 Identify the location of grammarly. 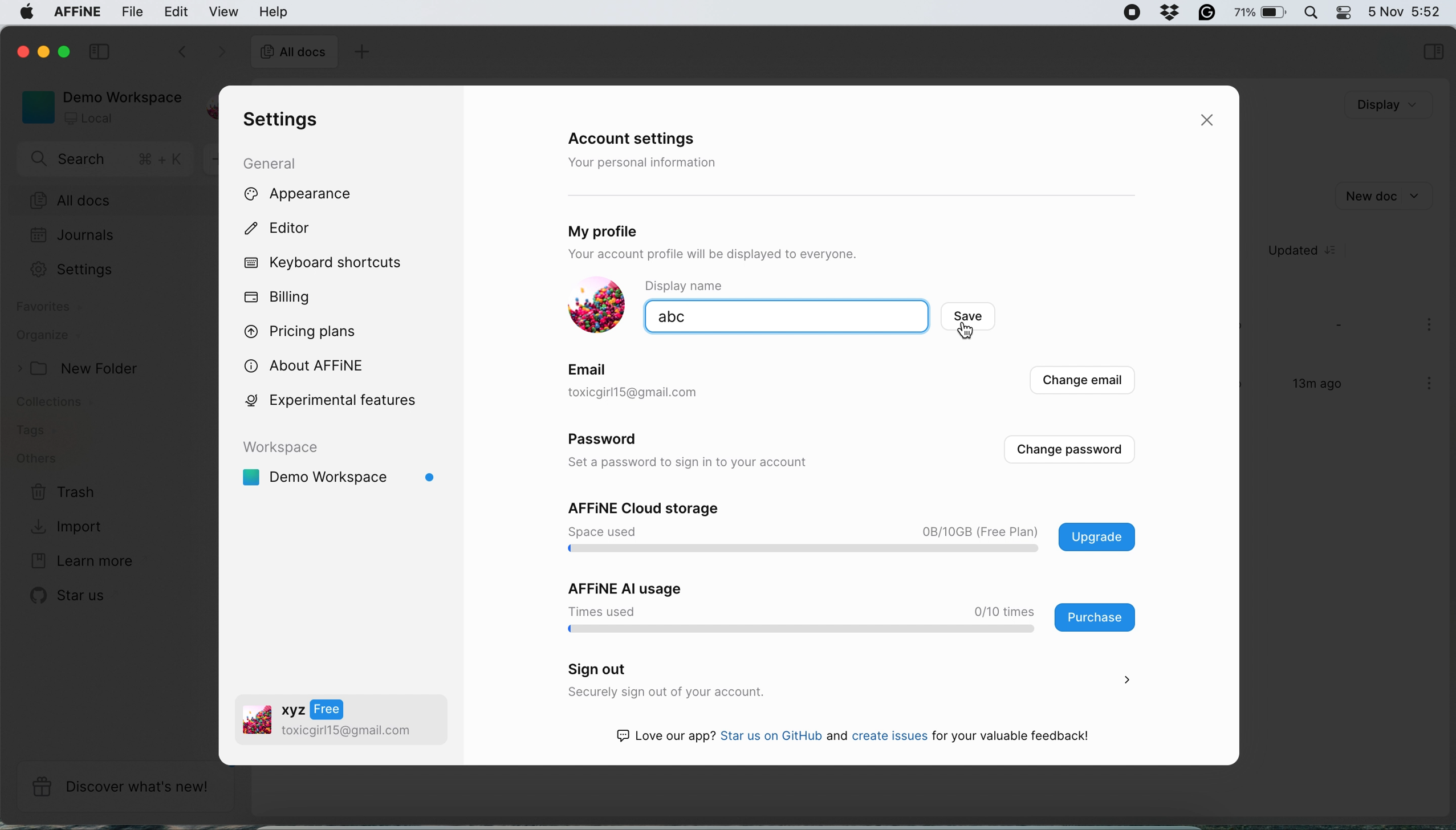
(1166, 11).